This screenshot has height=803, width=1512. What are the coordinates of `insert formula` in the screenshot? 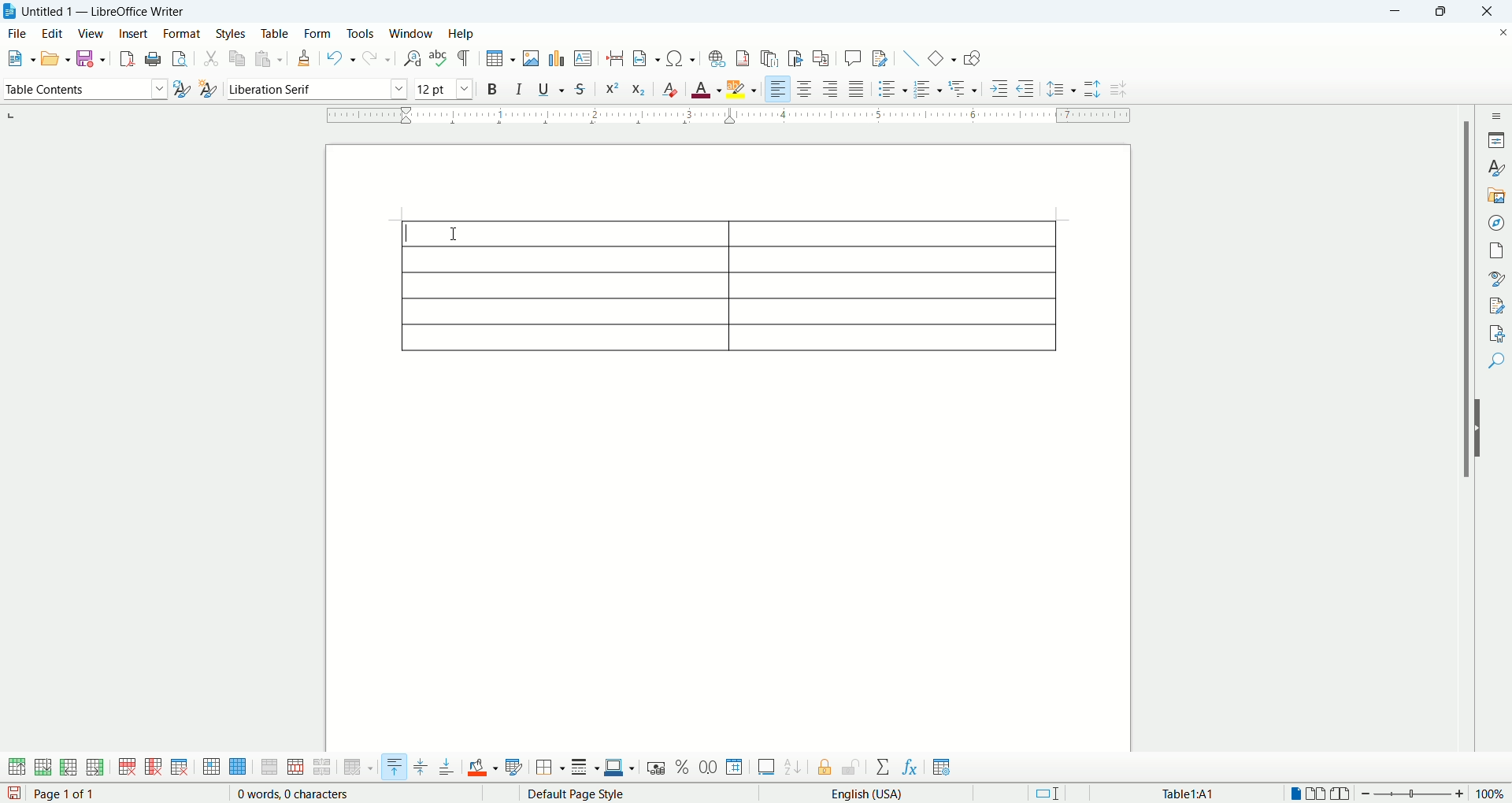 It's located at (911, 768).